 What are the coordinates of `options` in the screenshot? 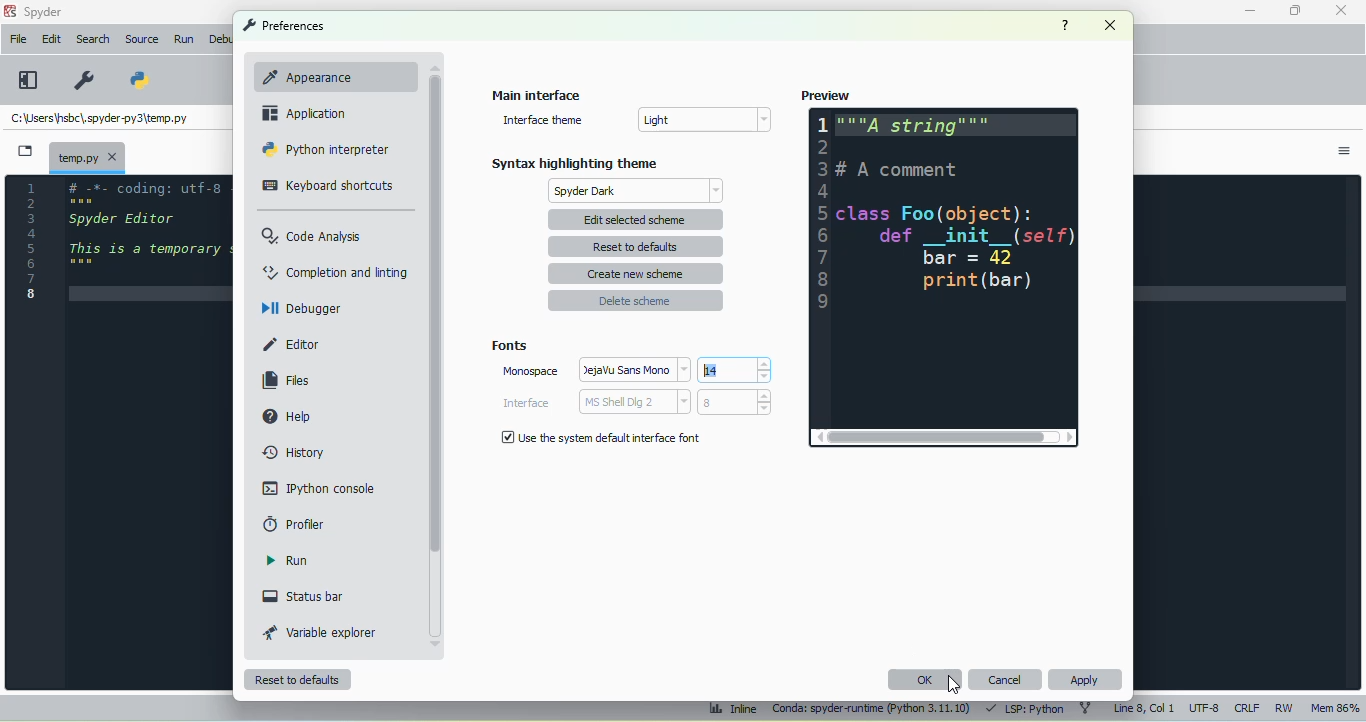 It's located at (1344, 151).